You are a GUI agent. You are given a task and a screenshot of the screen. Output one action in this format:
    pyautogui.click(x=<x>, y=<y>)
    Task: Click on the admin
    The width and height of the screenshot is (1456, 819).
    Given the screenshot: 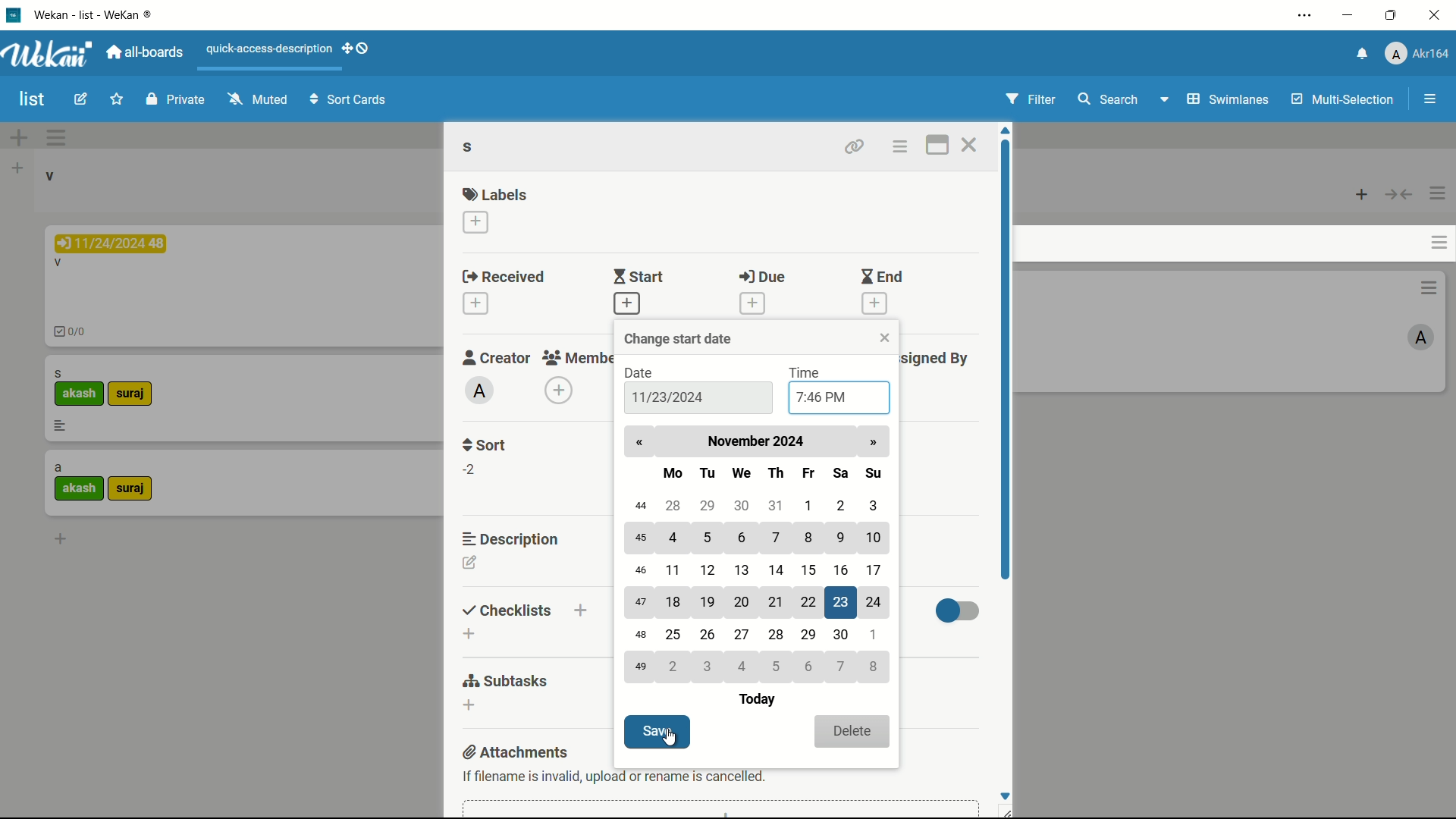 What is the action you would take?
    pyautogui.click(x=1420, y=338)
    